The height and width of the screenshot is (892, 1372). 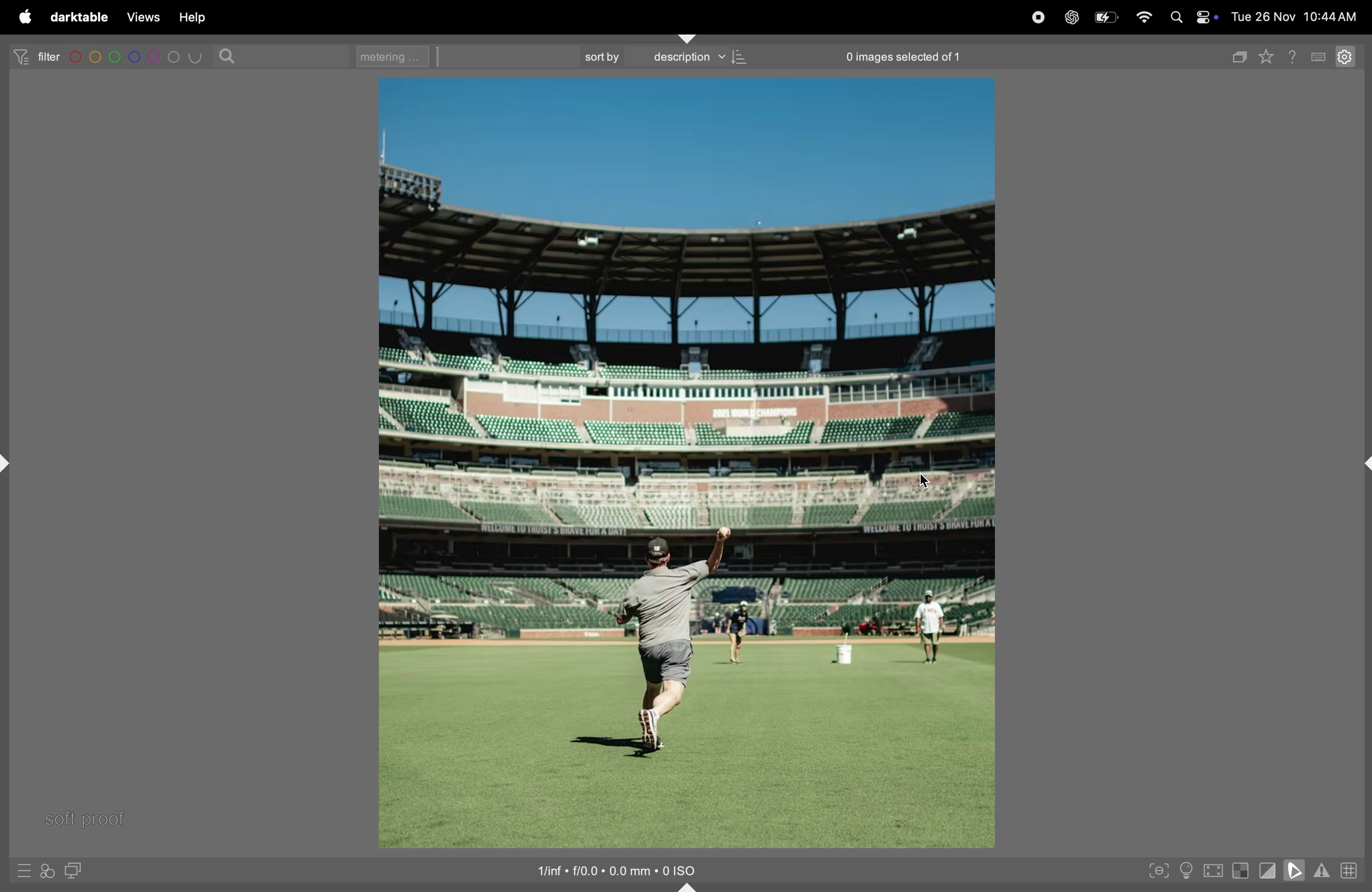 What do you see at coordinates (1032, 17) in the screenshot?
I see `record` at bounding box center [1032, 17].